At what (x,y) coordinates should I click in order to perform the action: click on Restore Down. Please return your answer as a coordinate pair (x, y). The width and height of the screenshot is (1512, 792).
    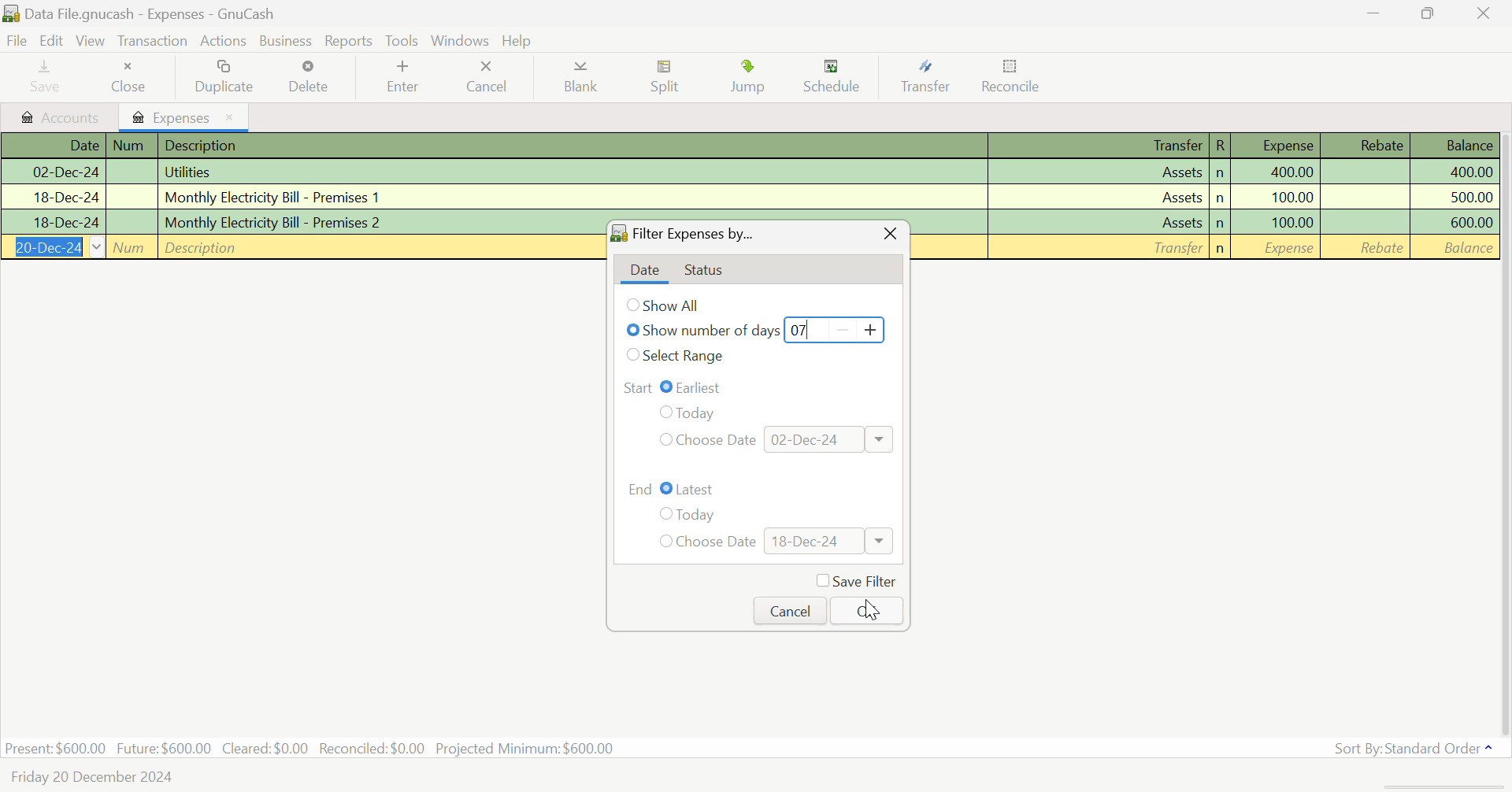
    Looking at the image, I should click on (1380, 13).